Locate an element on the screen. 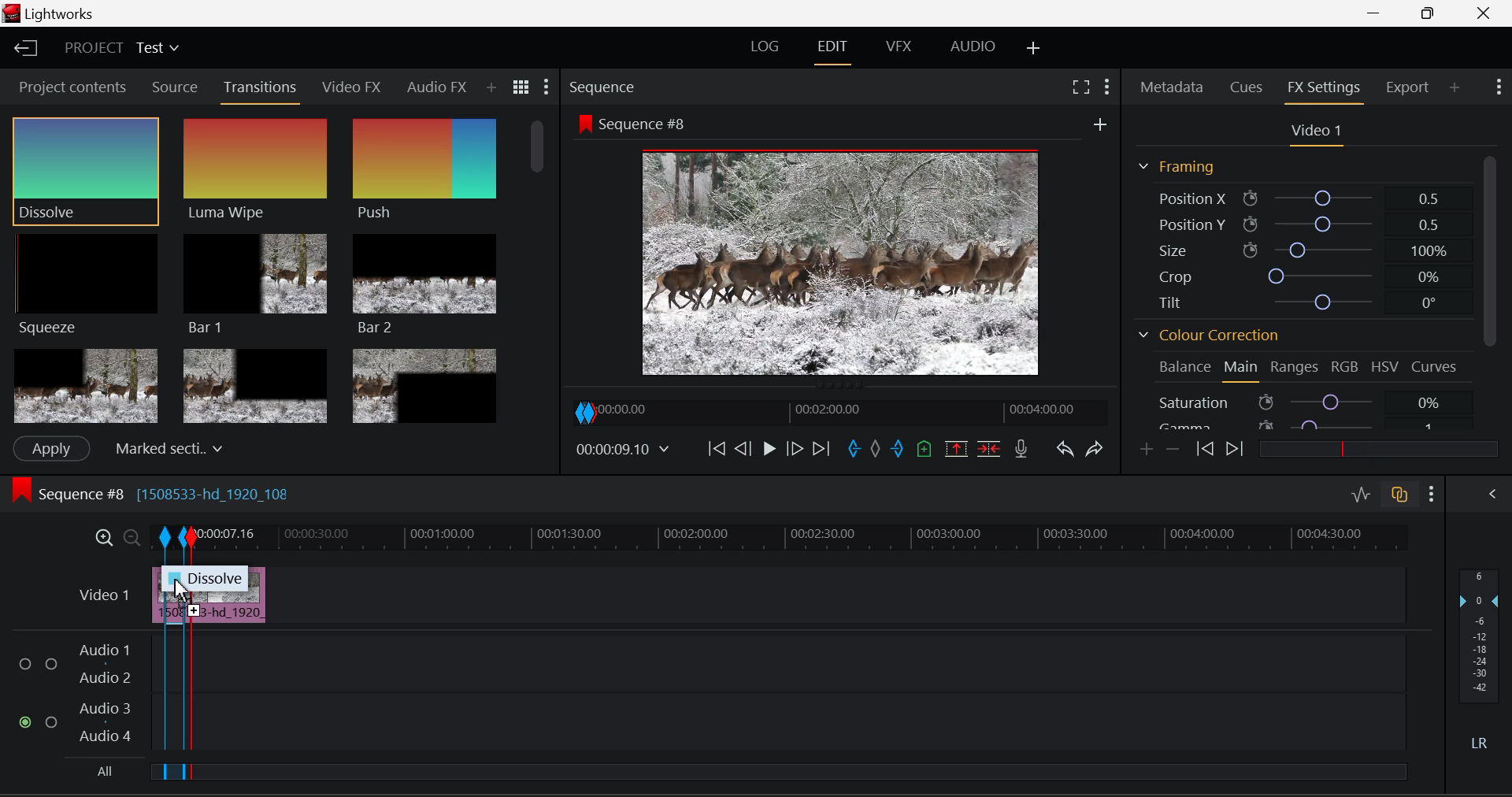 Image resolution: width=1512 pixels, height=797 pixels. Colour Correction Section is located at coordinates (1210, 336).